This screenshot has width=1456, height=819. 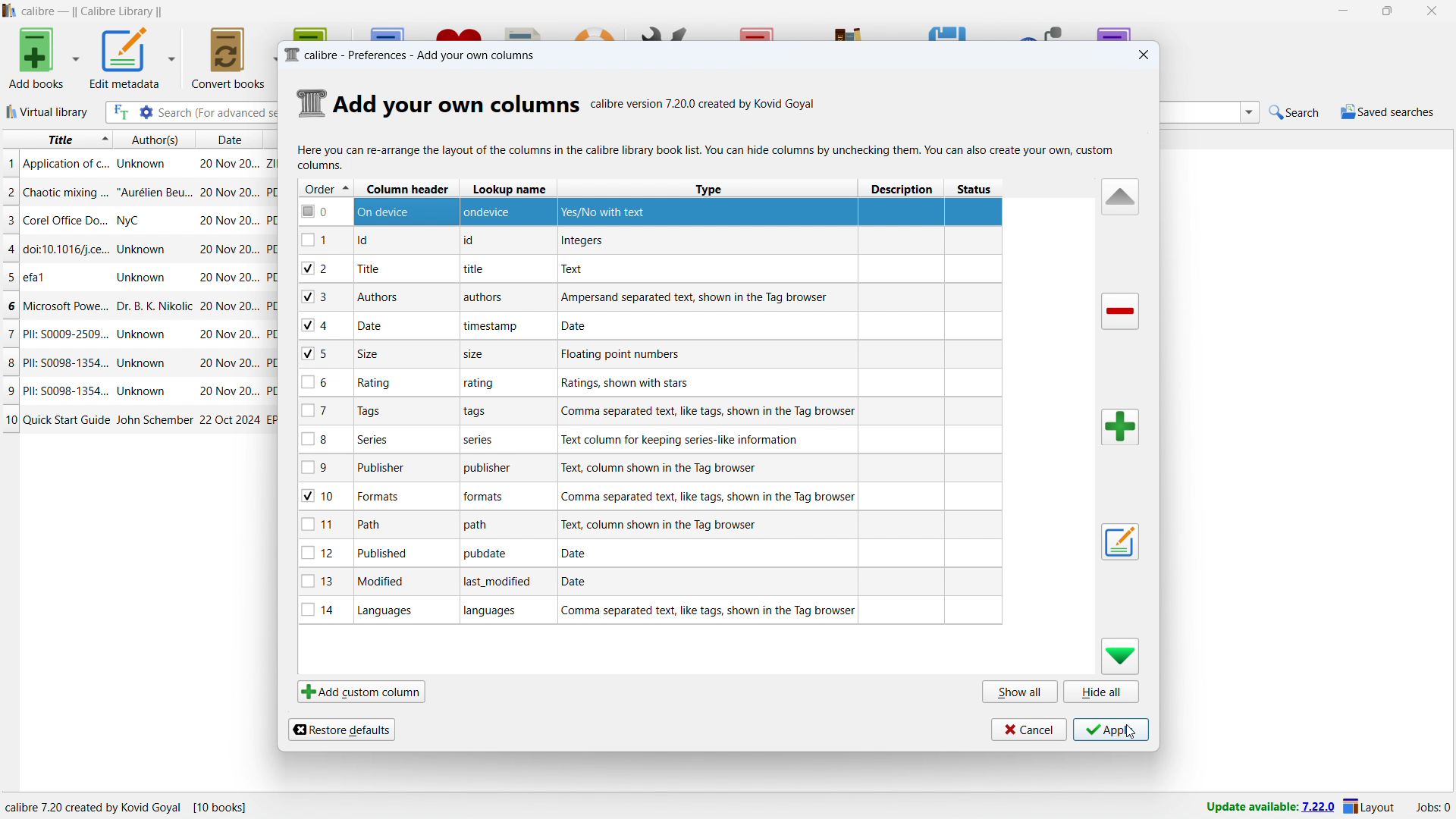 I want to click on Comma separated text, like tags, shown in the Tag browser, so click(x=708, y=610).